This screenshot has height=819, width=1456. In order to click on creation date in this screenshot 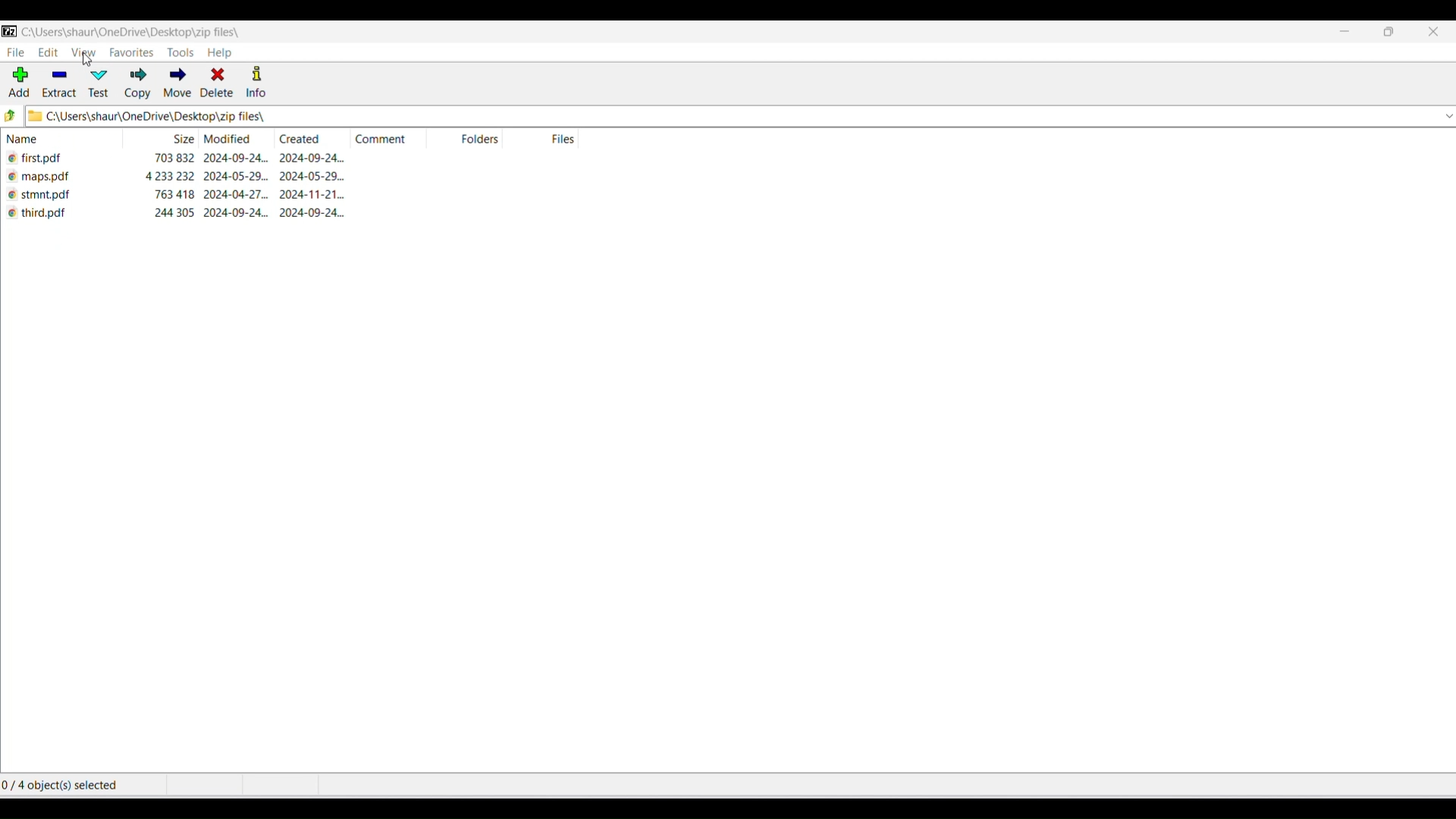, I will do `click(317, 177)`.